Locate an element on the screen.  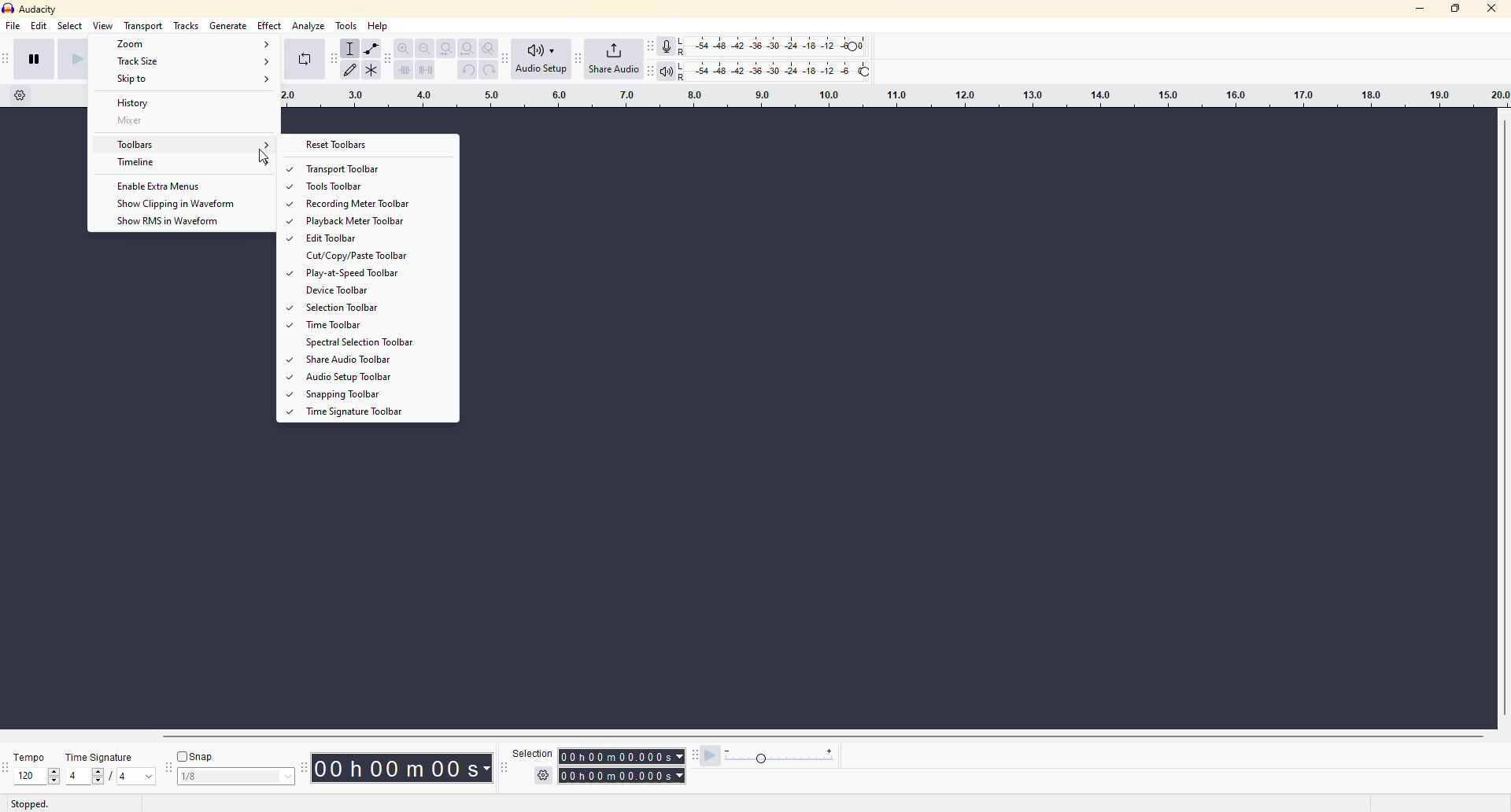
share audio is located at coordinates (613, 58).